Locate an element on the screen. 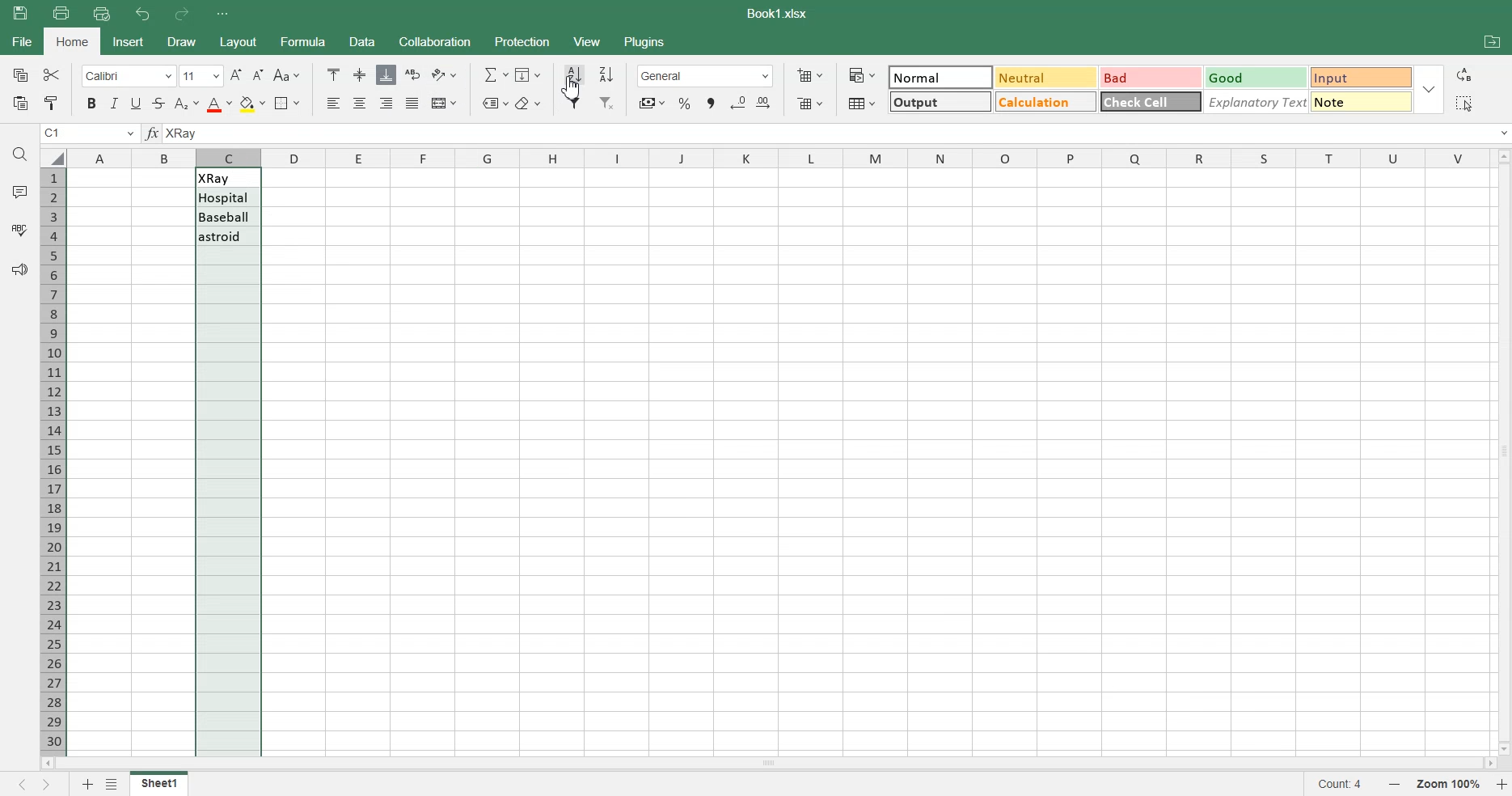 Image resolution: width=1512 pixels, height=796 pixels. Increase Font Size is located at coordinates (236, 74).